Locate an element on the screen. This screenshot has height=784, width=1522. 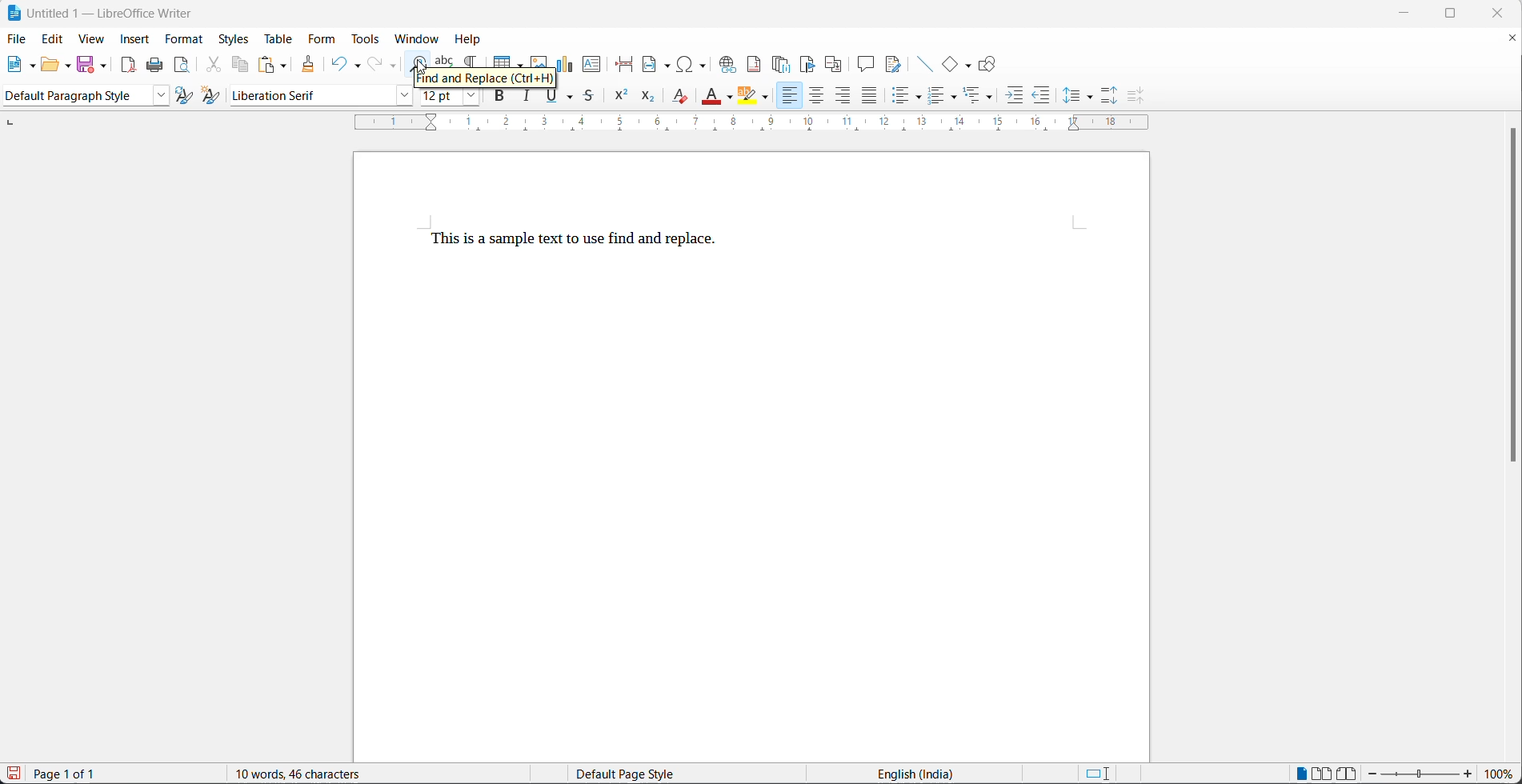
copy is located at coordinates (242, 64).